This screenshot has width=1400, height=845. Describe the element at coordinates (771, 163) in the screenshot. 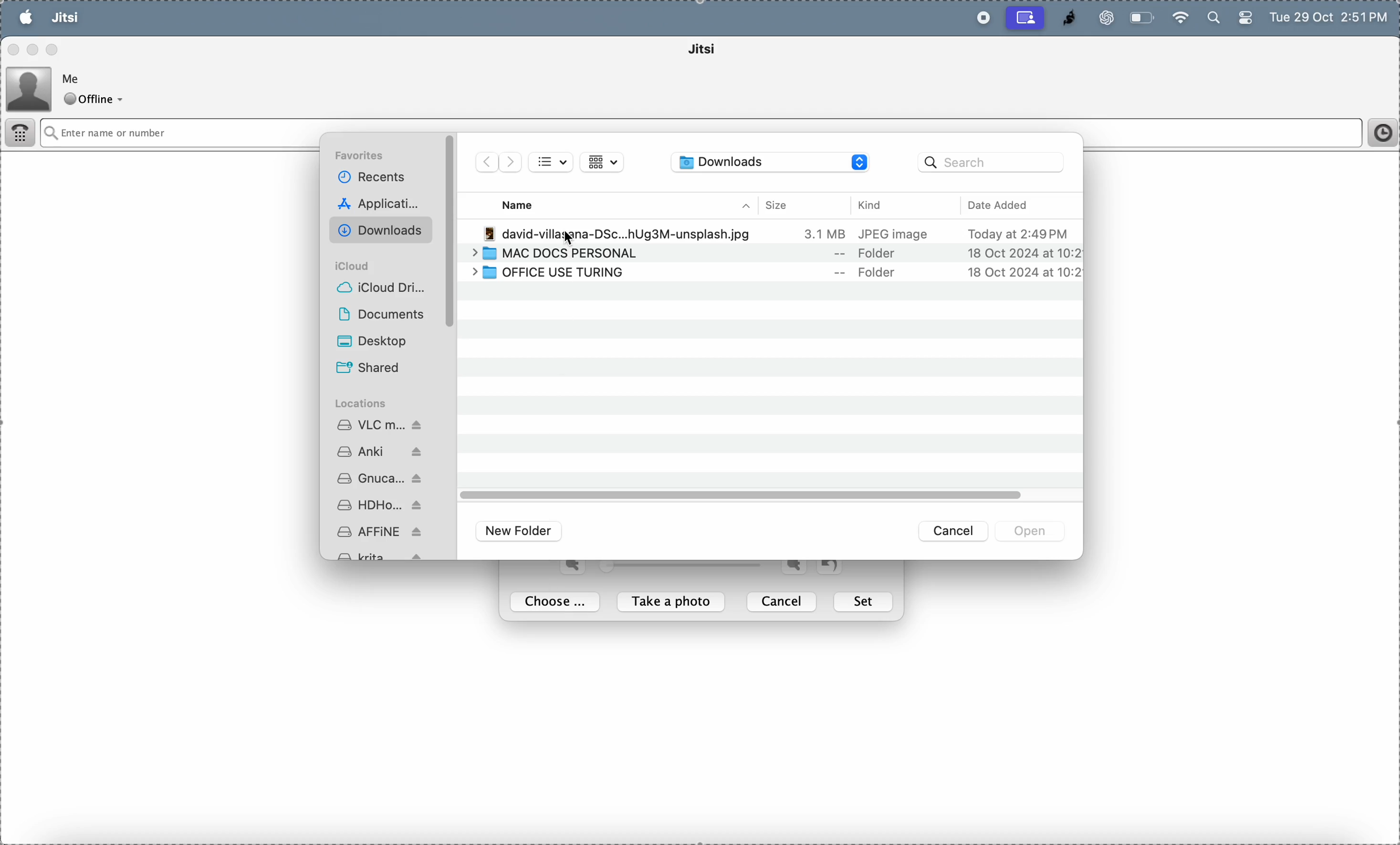

I see `downloads` at that location.